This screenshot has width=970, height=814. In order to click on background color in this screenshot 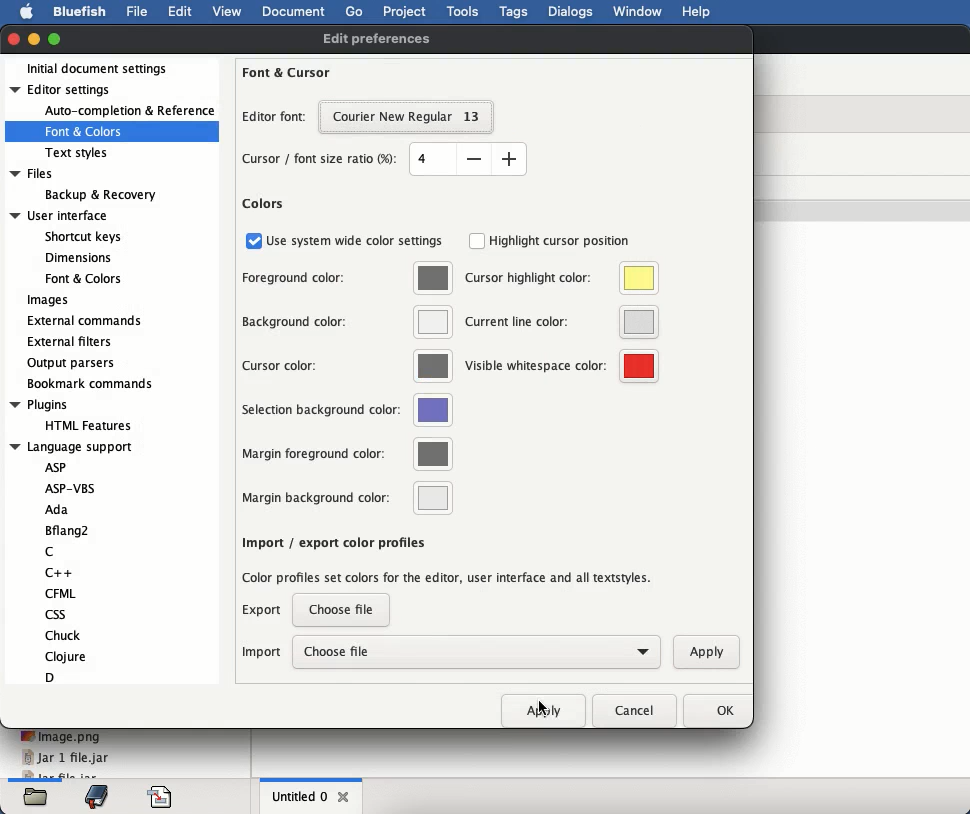, I will do `click(346, 322)`.